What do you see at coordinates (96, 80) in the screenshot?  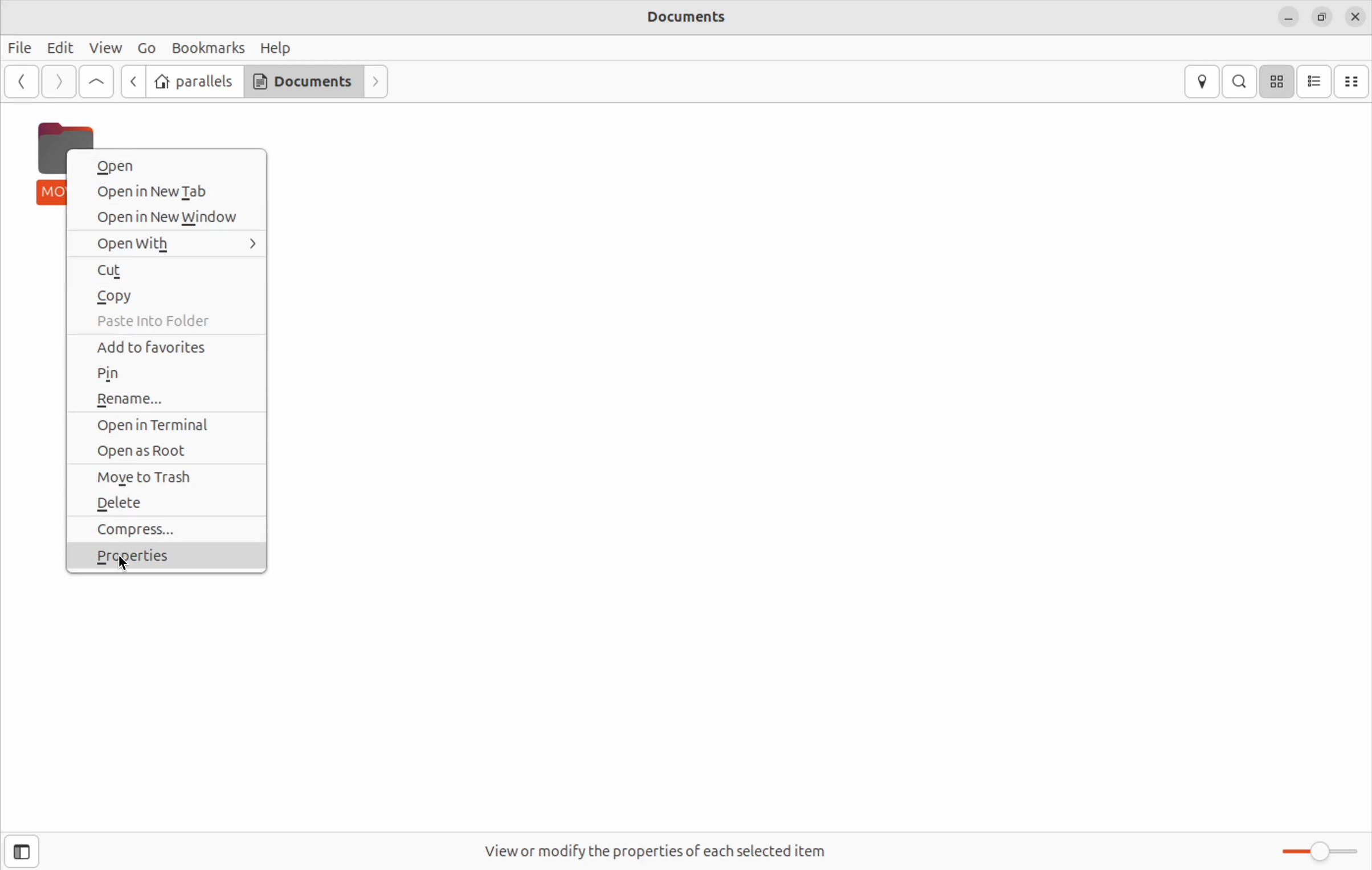 I see `Go up` at bounding box center [96, 80].